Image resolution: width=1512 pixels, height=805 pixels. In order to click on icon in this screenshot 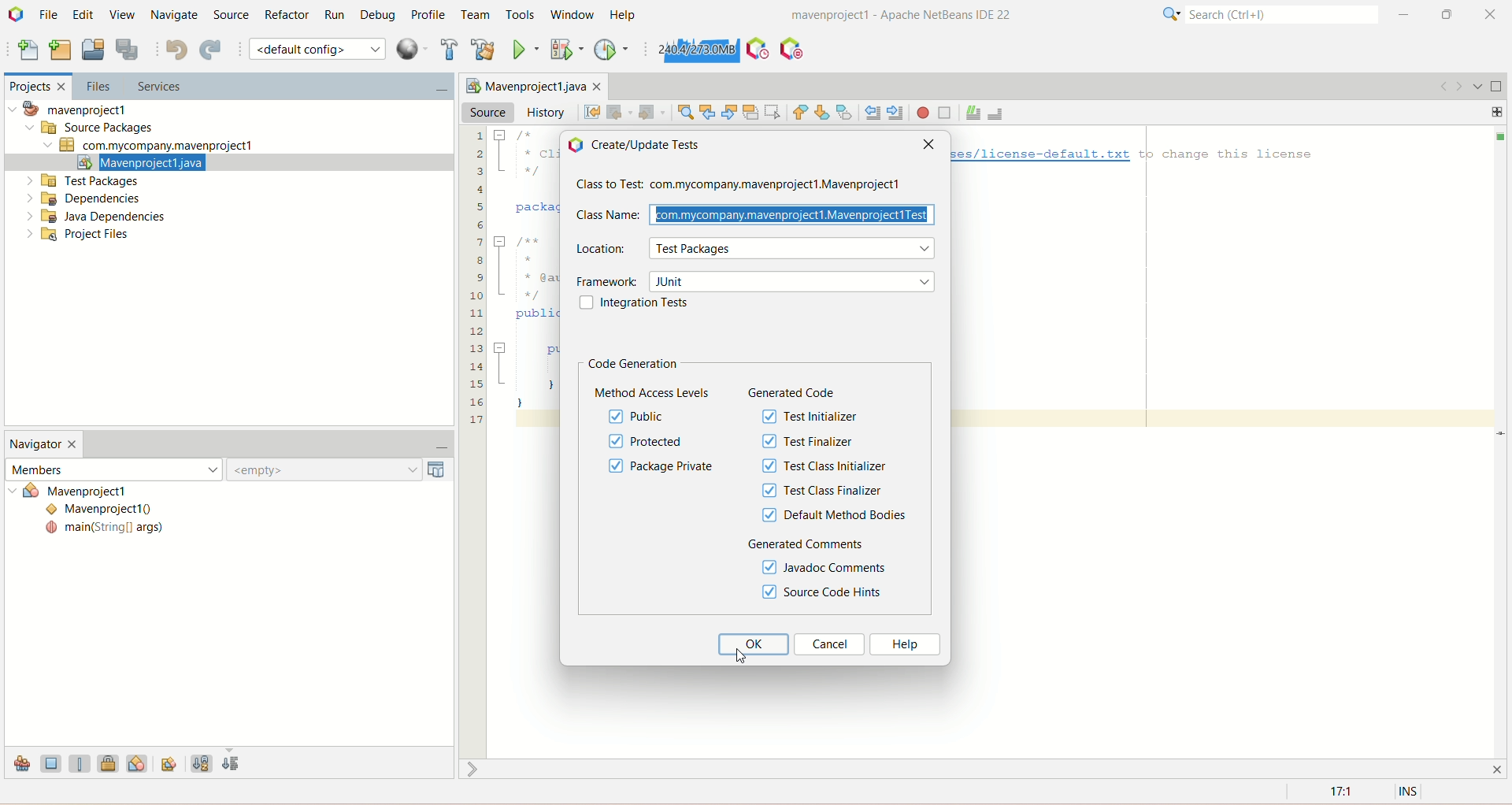, I will do `click(574, 146)`.